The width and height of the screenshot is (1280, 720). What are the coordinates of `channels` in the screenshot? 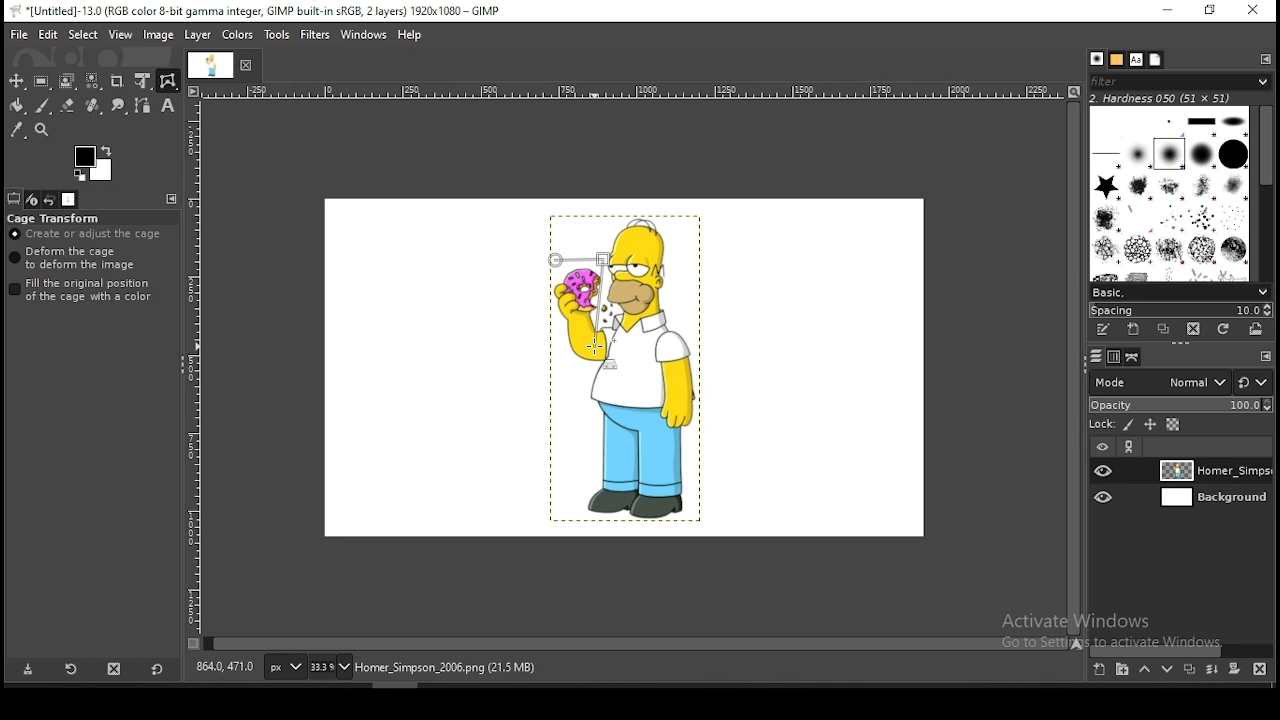 It's located at (1112, 356).